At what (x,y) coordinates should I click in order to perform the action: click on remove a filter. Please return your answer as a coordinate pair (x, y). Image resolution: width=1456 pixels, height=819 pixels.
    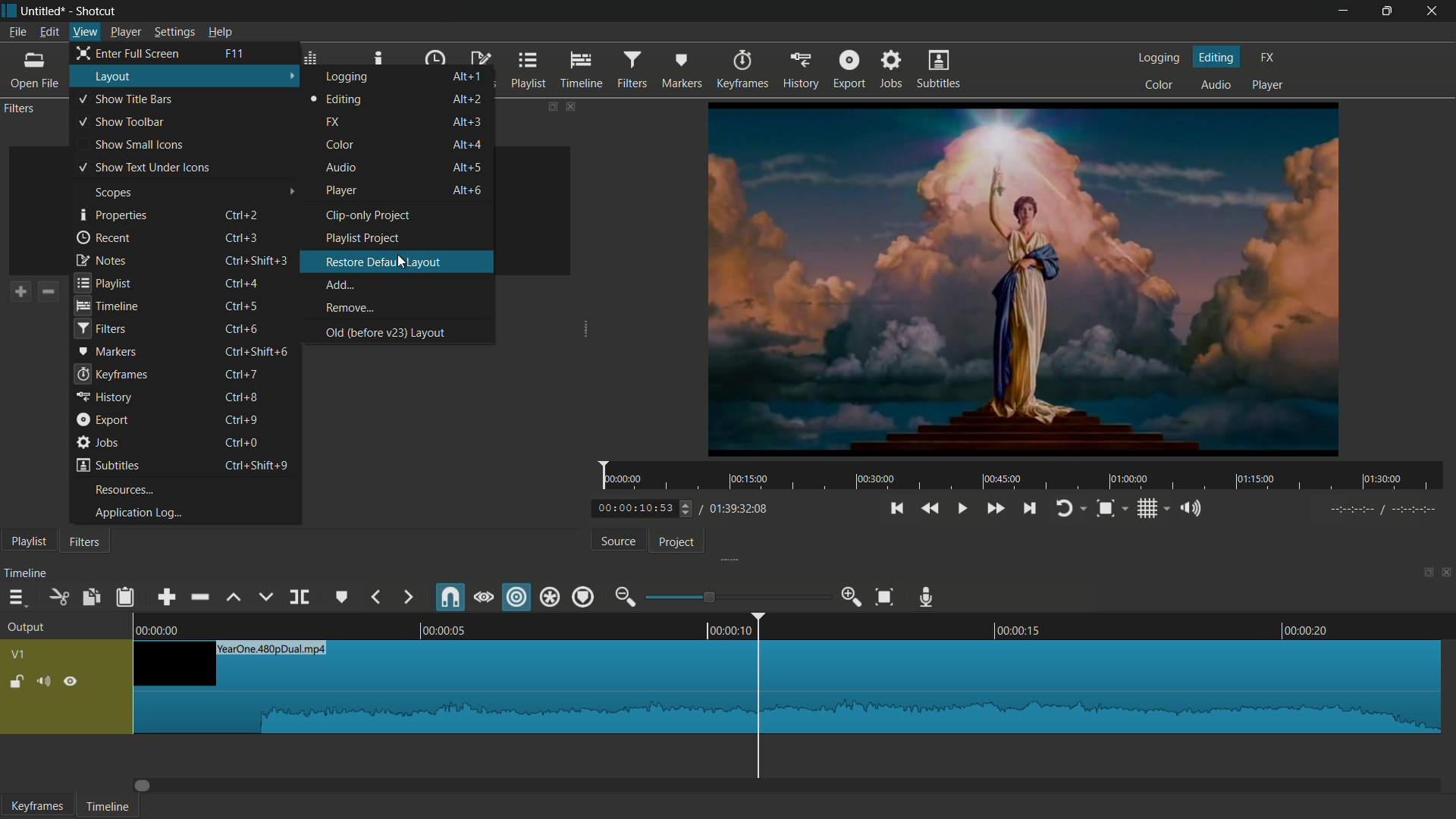
    Looking at the image, I should click on (48, 292).